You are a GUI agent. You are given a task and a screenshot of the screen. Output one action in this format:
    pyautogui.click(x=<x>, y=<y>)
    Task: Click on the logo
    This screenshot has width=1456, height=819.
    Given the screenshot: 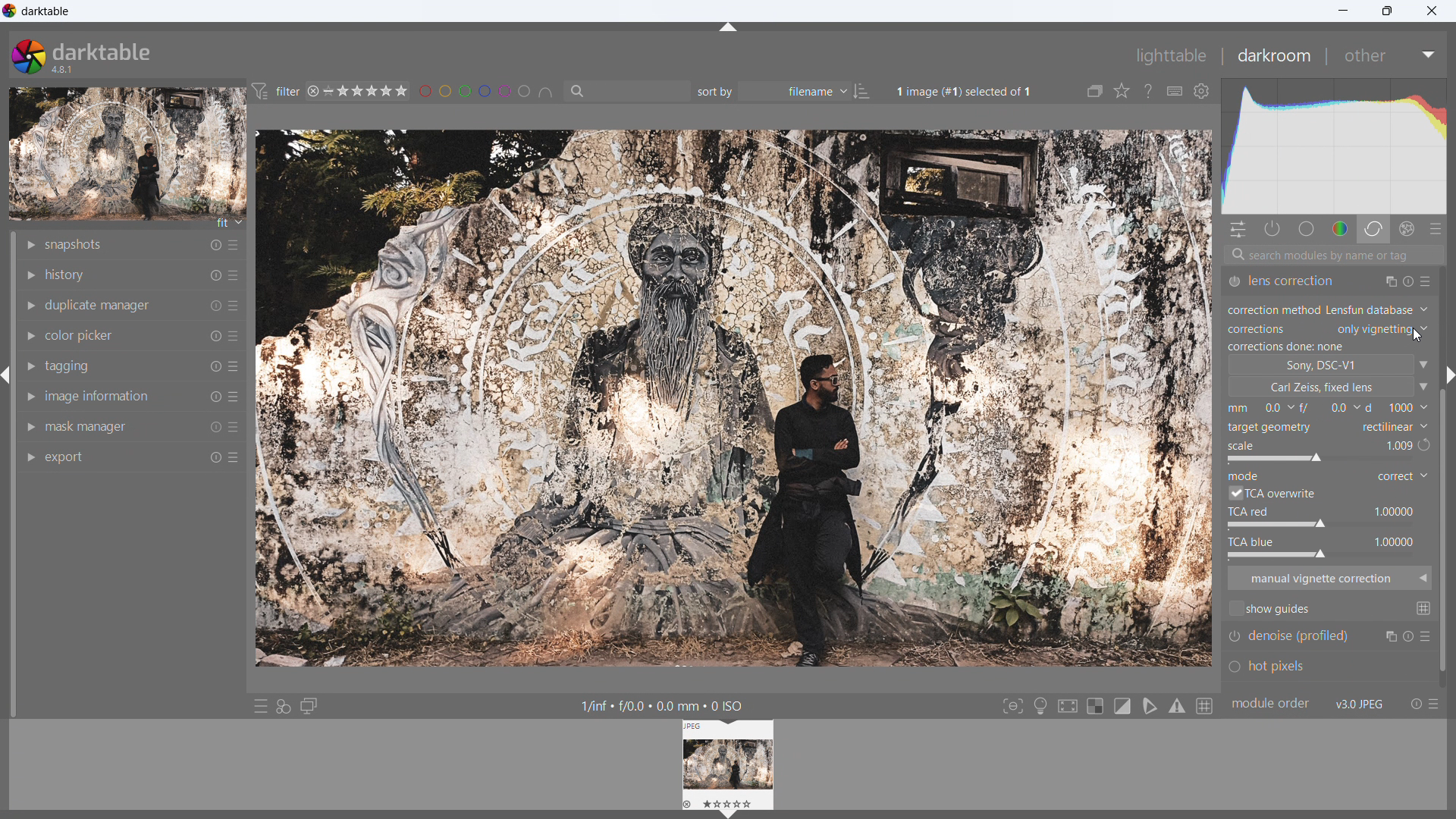 What is the action you would take?
    pyautogui.click(x=29, y=55)
    